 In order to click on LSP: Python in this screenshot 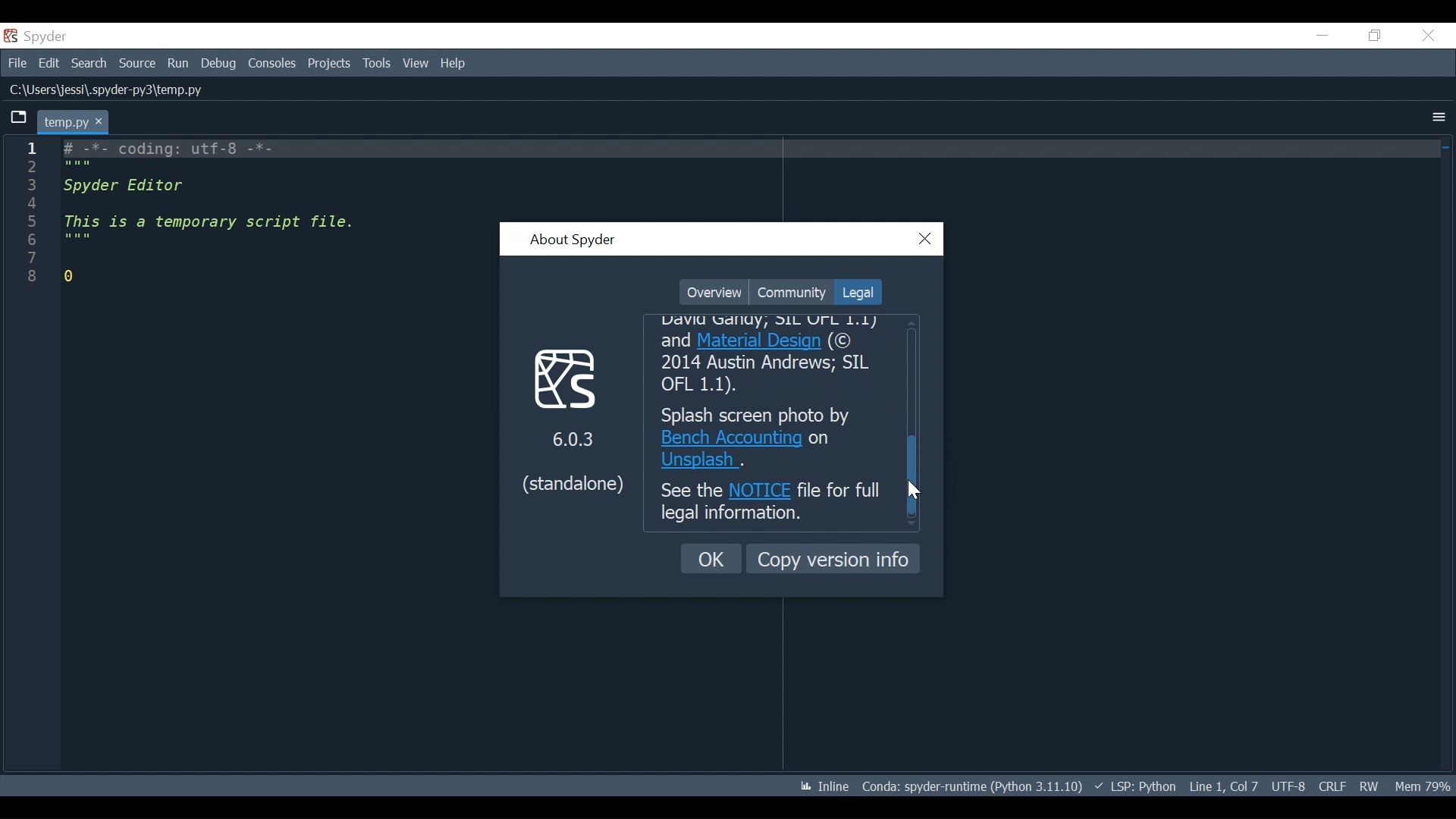, I will do `click(1135, 787)`.